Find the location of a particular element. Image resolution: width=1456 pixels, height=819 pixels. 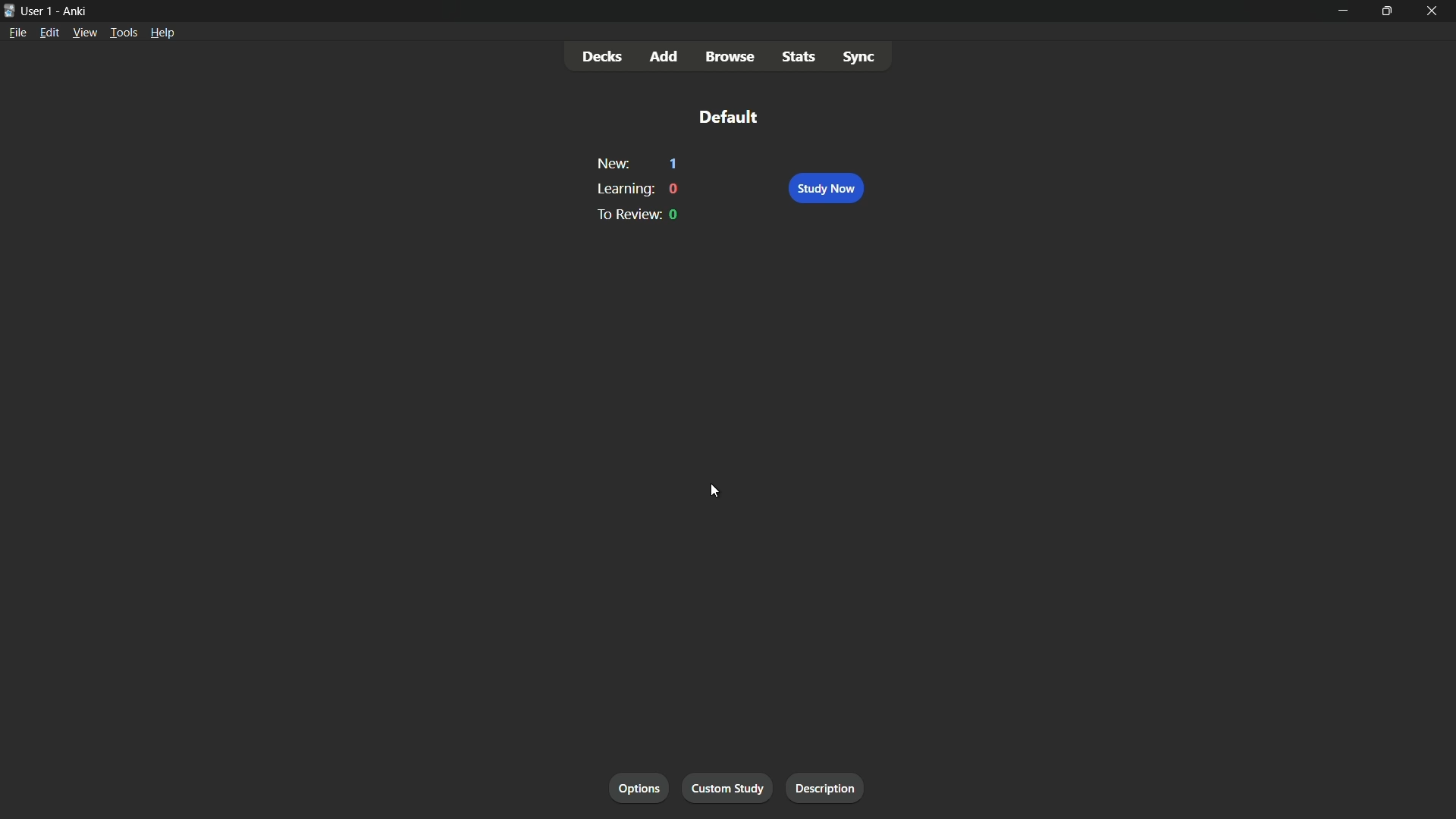

user-1 is located at coordinates (37, 9).